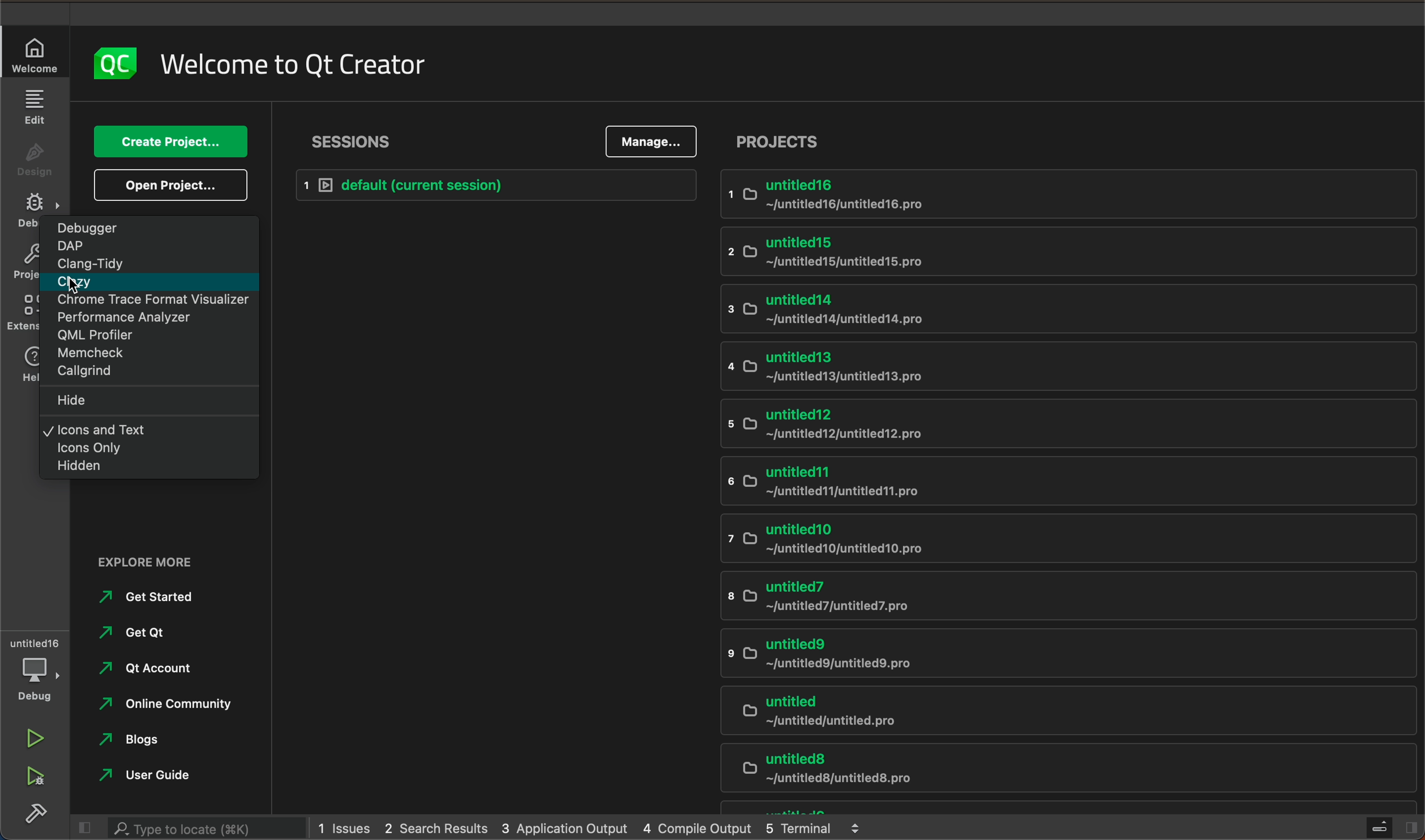  Describe the element at coordinates (38, 53) in the screenshot. I see `welcome` at that location.